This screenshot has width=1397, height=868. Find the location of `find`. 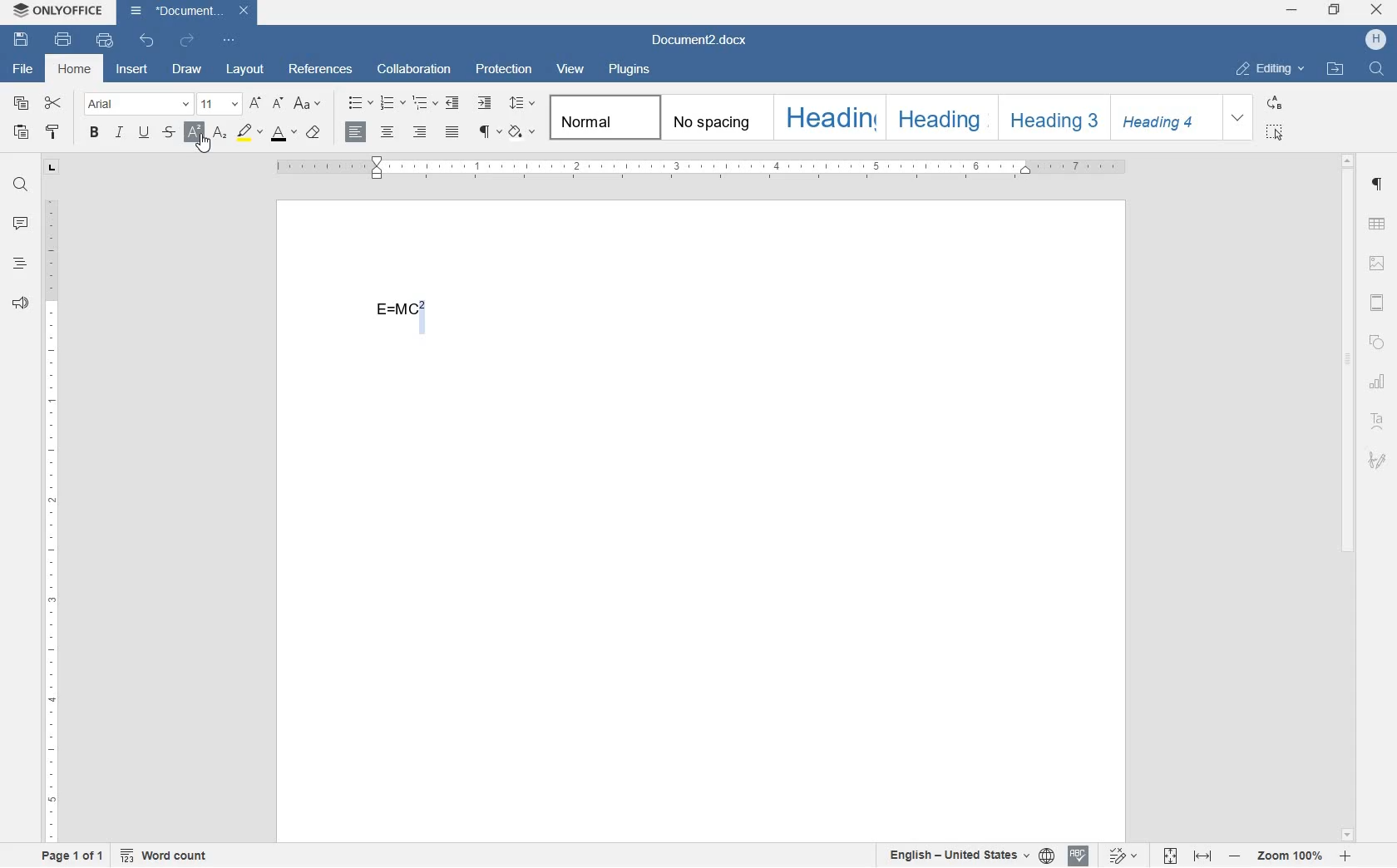

find is located at coordinates (1375, 68).